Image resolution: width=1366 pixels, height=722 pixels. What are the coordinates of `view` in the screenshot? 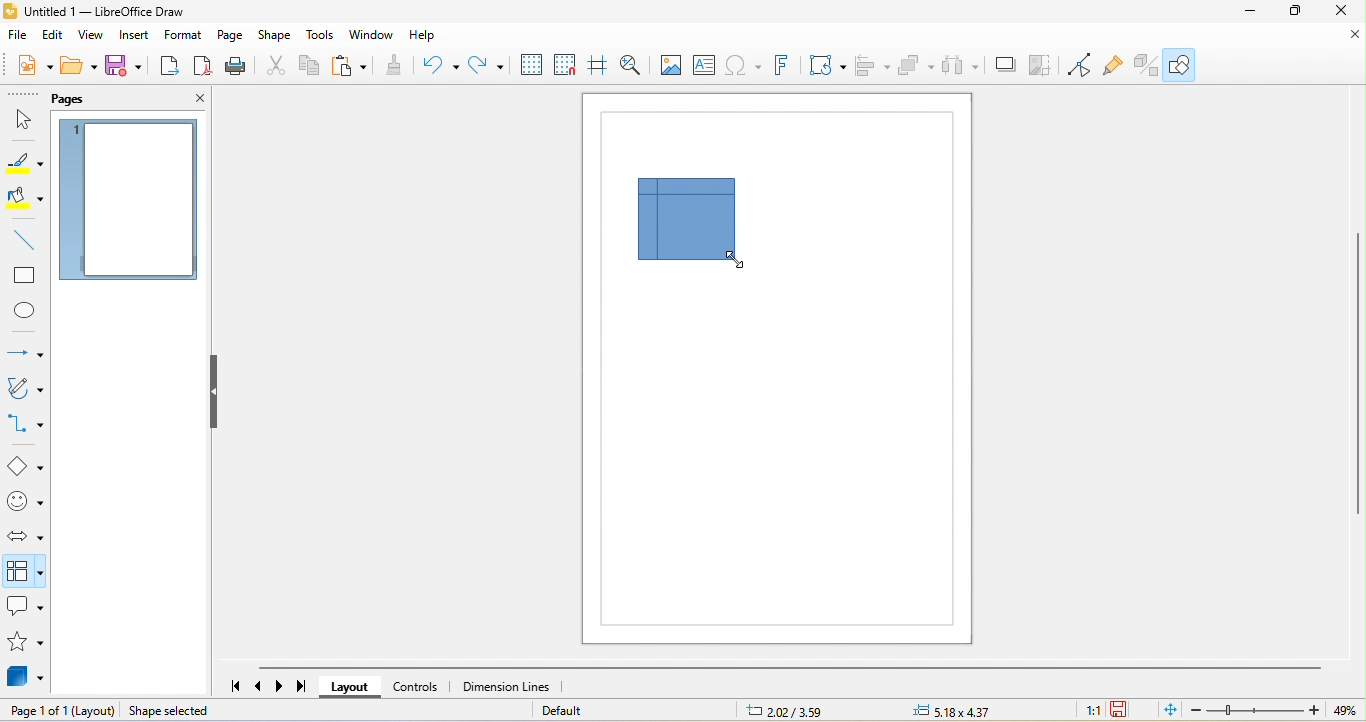 It's located at (92, 36).